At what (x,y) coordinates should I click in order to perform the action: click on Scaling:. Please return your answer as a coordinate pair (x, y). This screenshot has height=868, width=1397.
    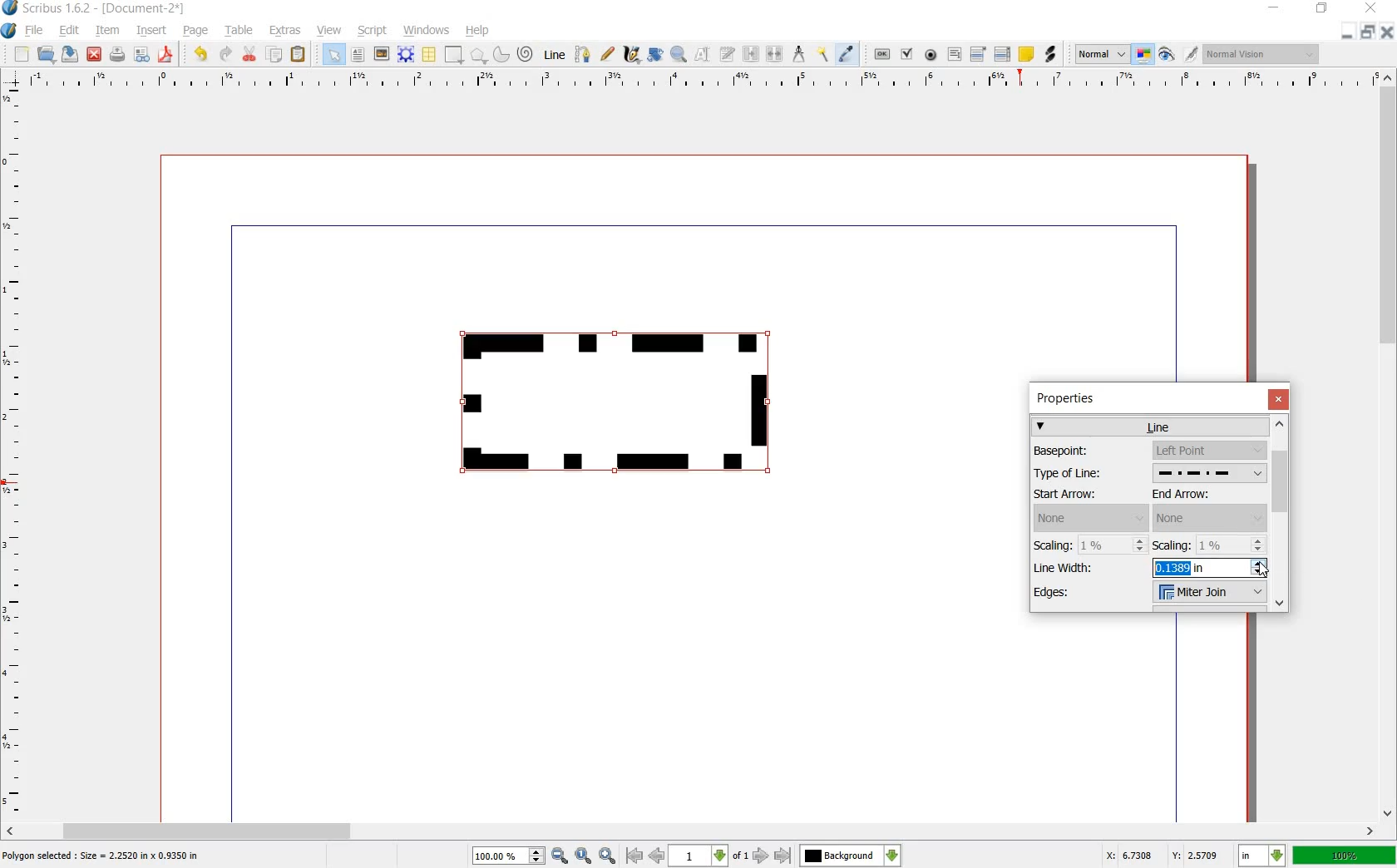
    Looking at the image, I should click on (1054, 545).